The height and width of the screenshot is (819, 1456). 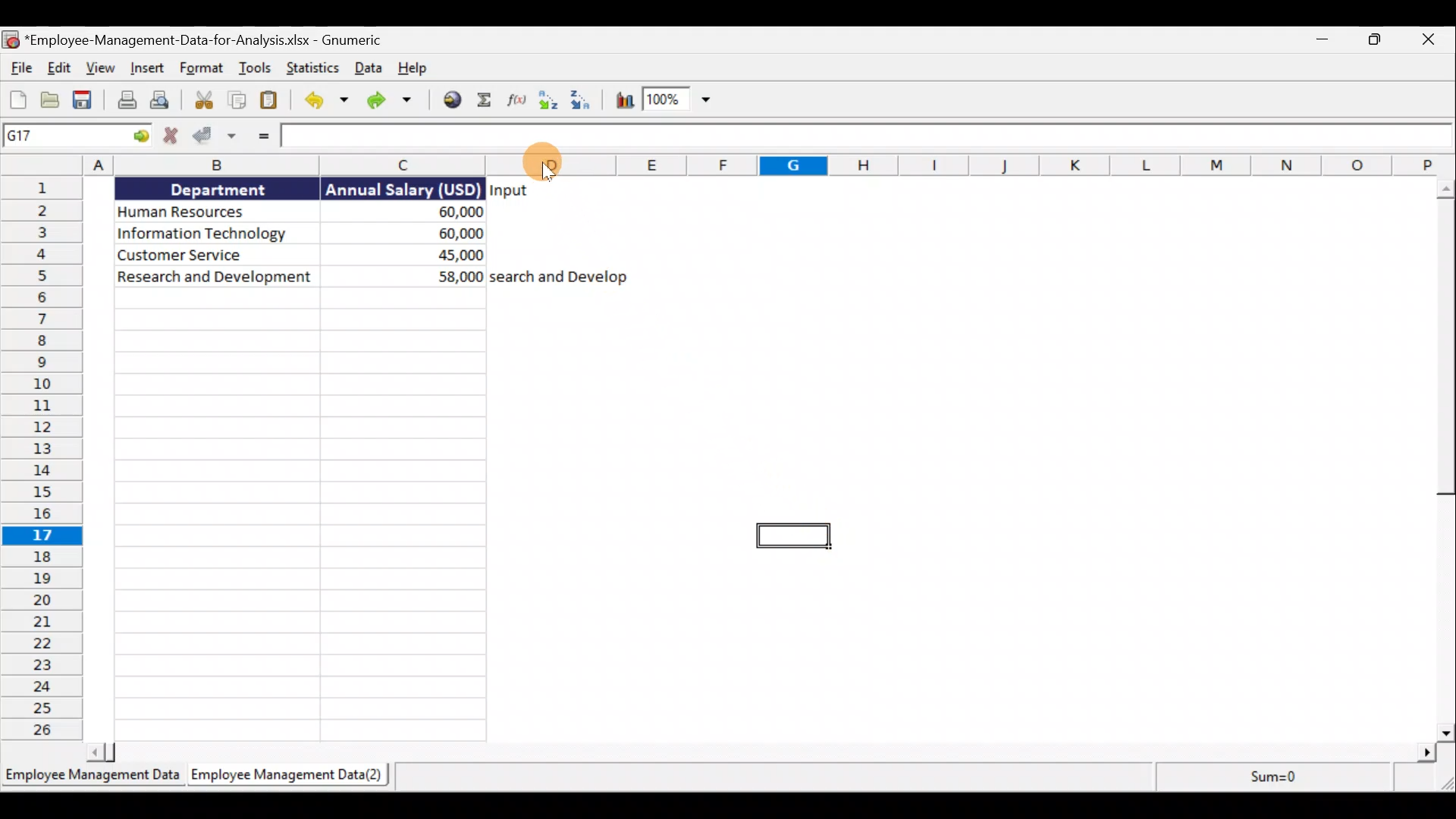 I want to click on Enter formula, so click(x=261, y=136).